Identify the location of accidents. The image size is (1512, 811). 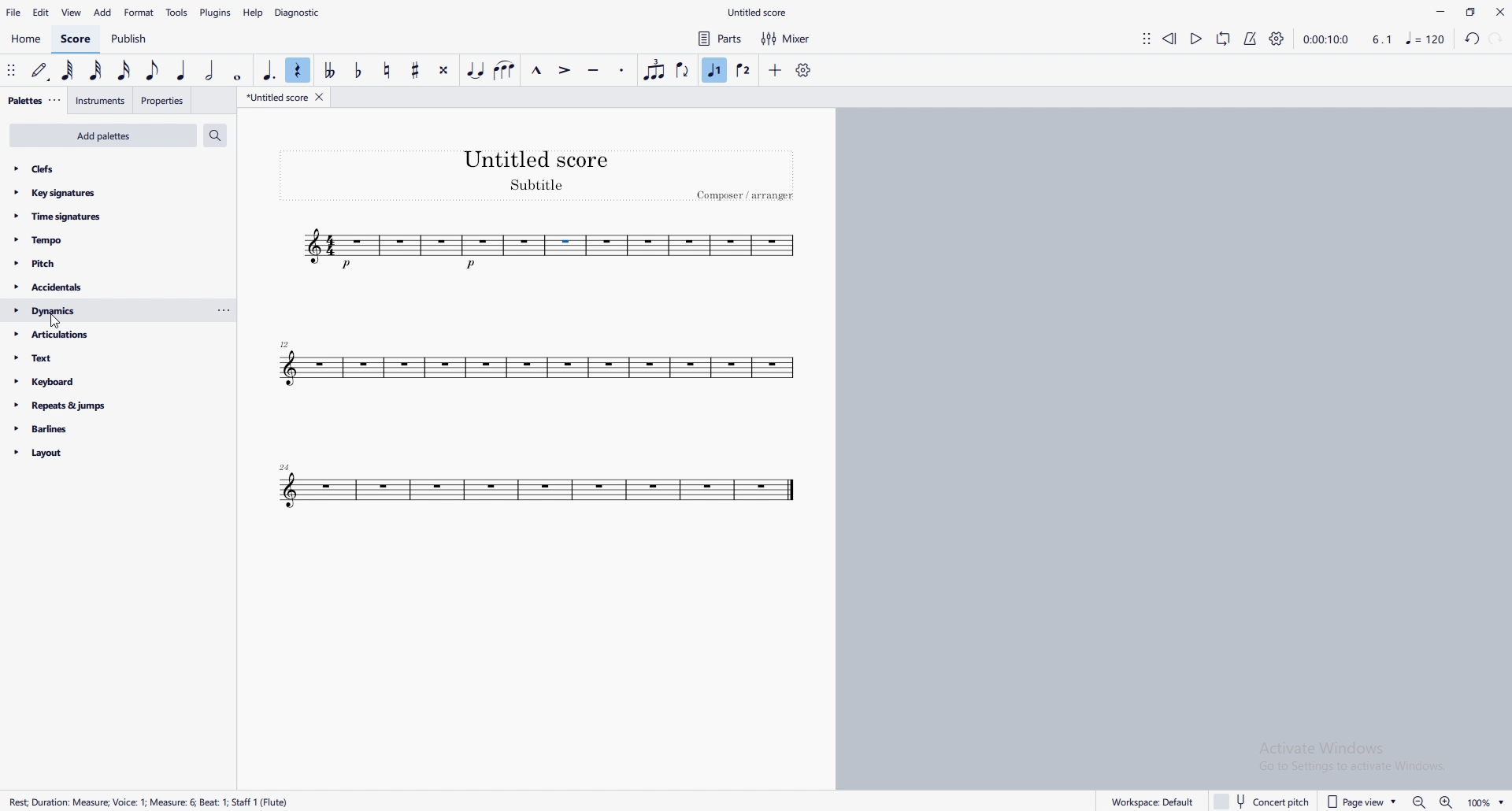
(101, 286).